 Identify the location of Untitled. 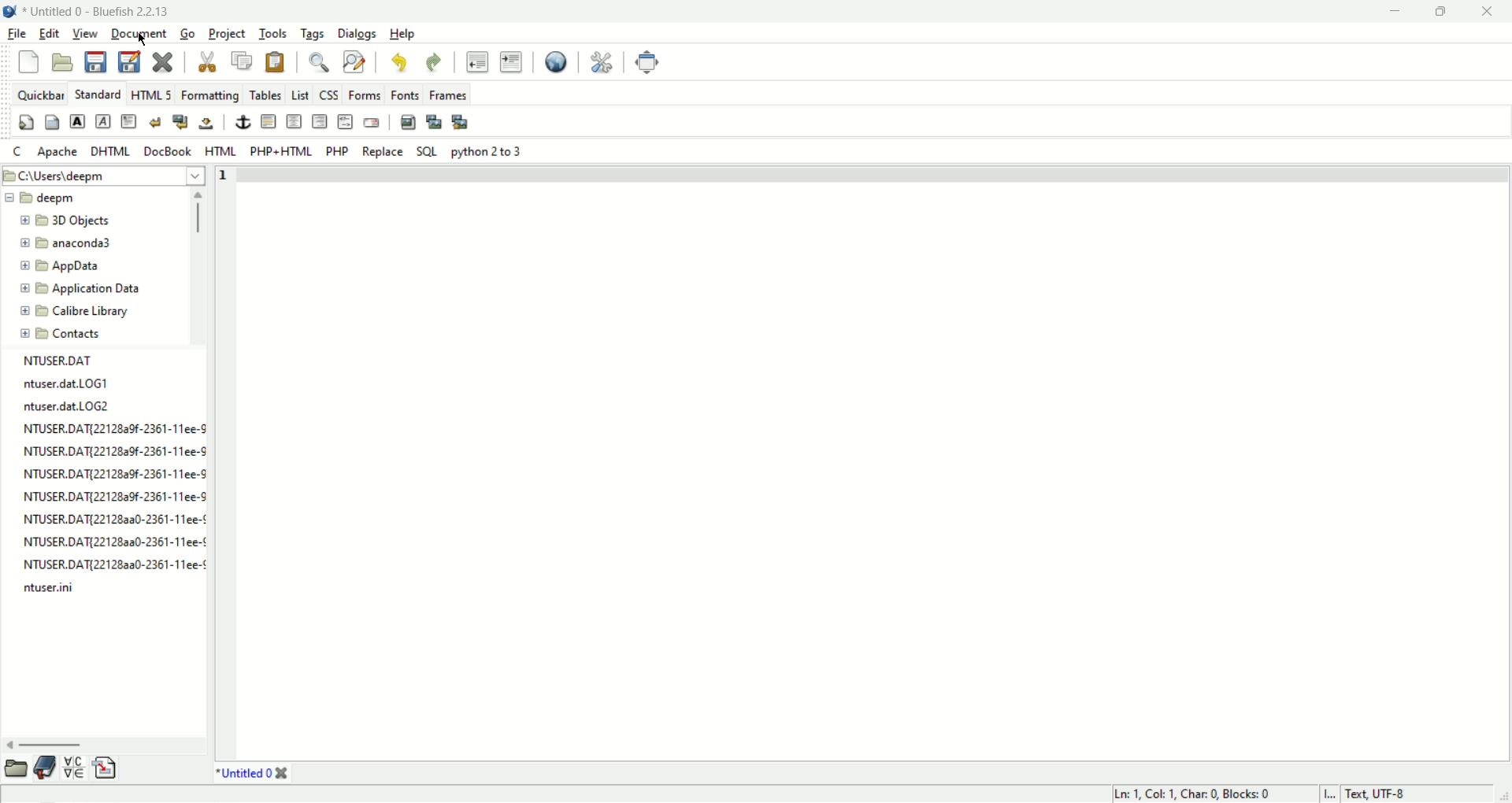
(243, 773).